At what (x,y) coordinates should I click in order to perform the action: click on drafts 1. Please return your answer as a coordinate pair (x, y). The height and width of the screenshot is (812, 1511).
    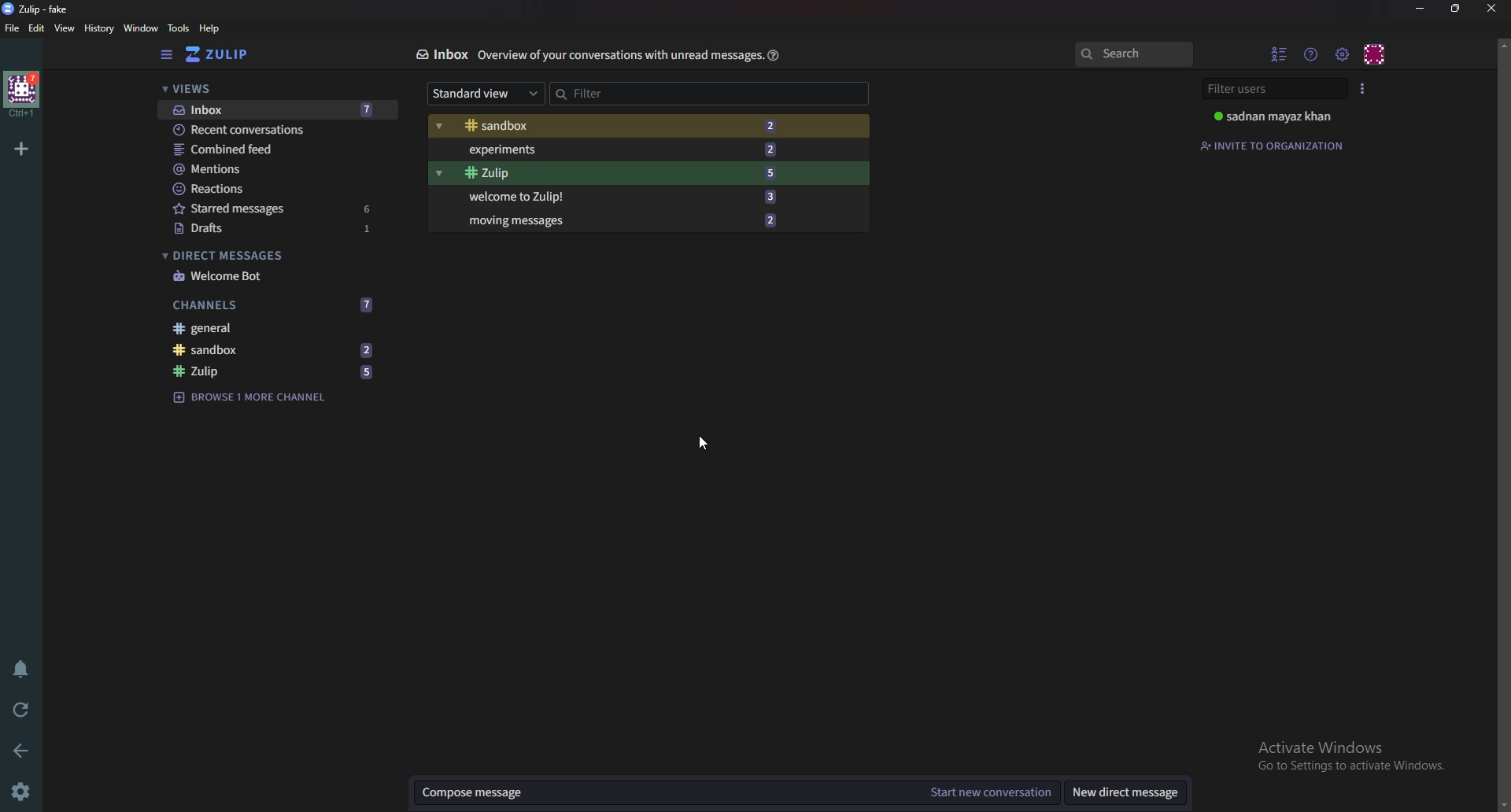
    Looking at the image, I should click on (279, 229).